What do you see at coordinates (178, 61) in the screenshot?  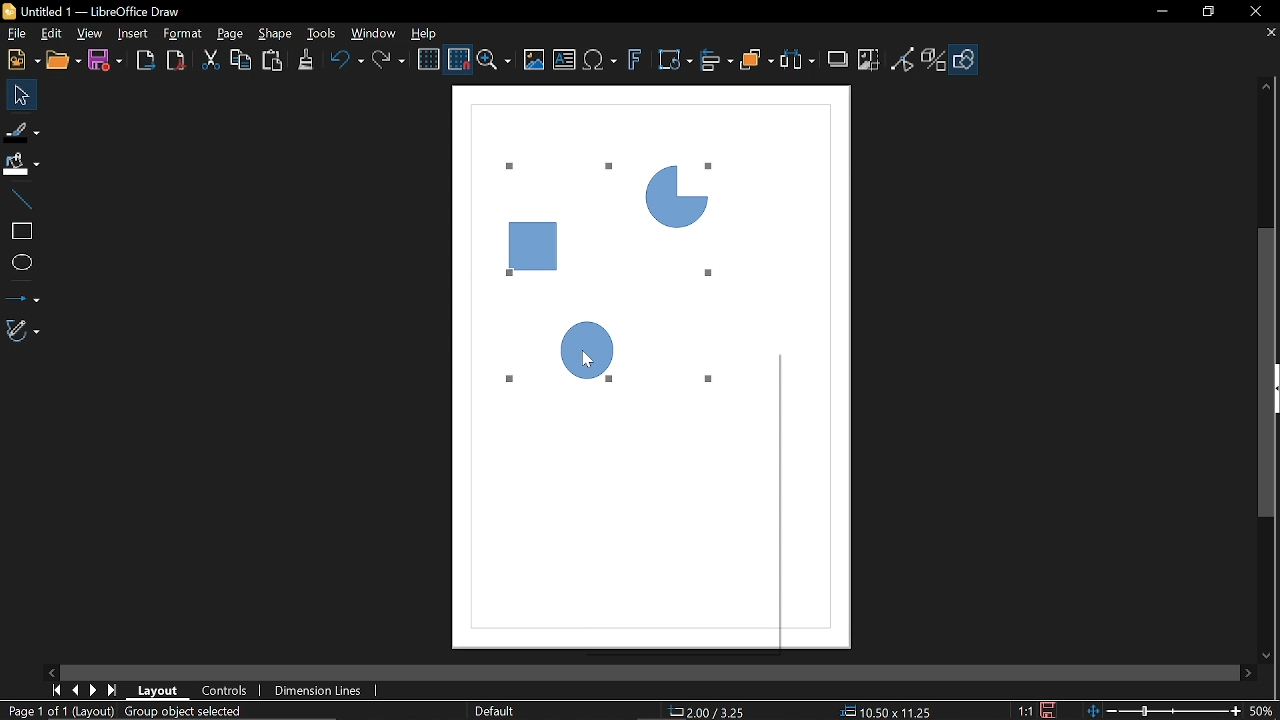 I see `Export as pdf` at bounding box center [178, 61].